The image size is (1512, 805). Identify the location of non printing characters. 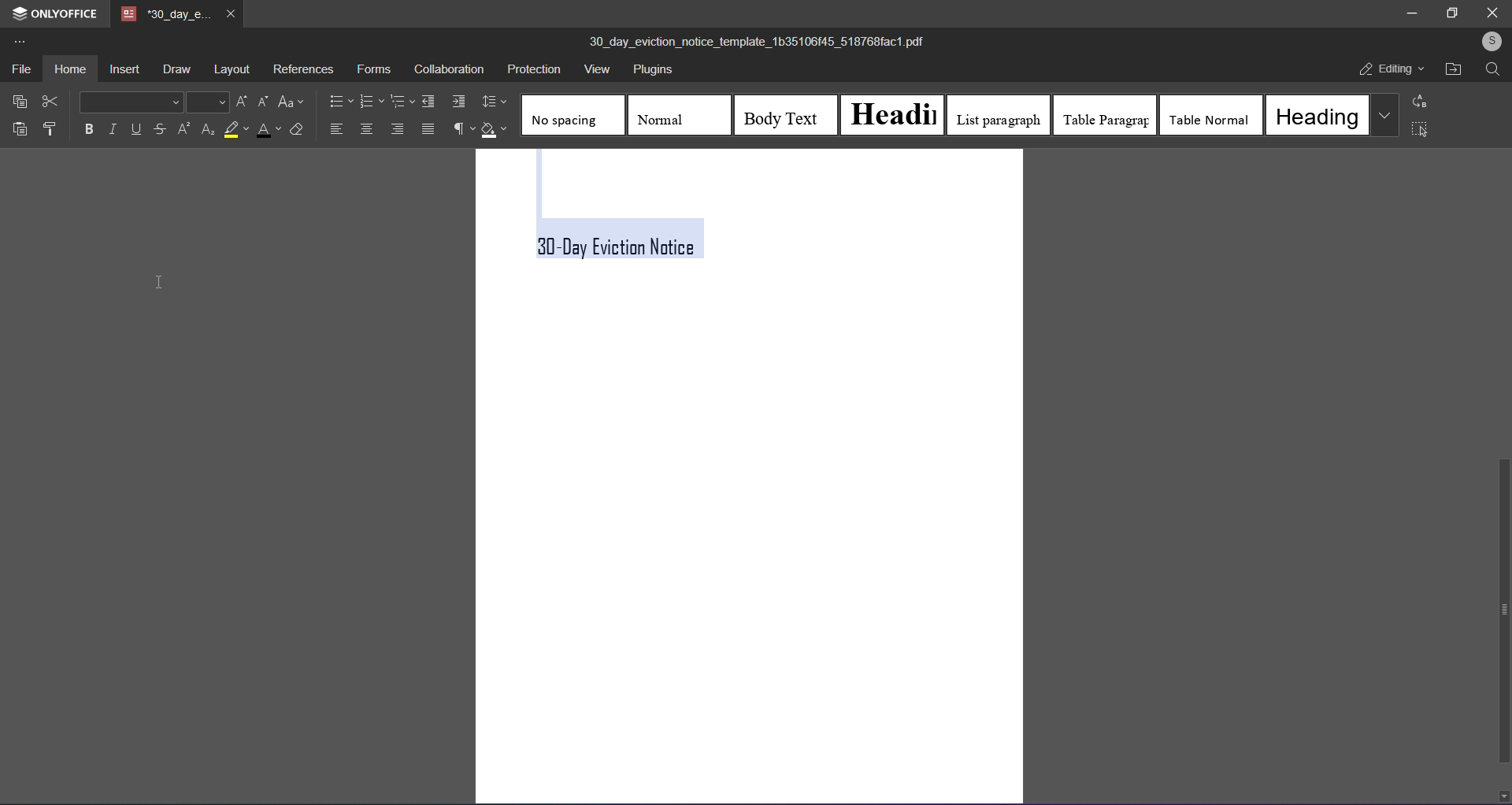
(459, 128).